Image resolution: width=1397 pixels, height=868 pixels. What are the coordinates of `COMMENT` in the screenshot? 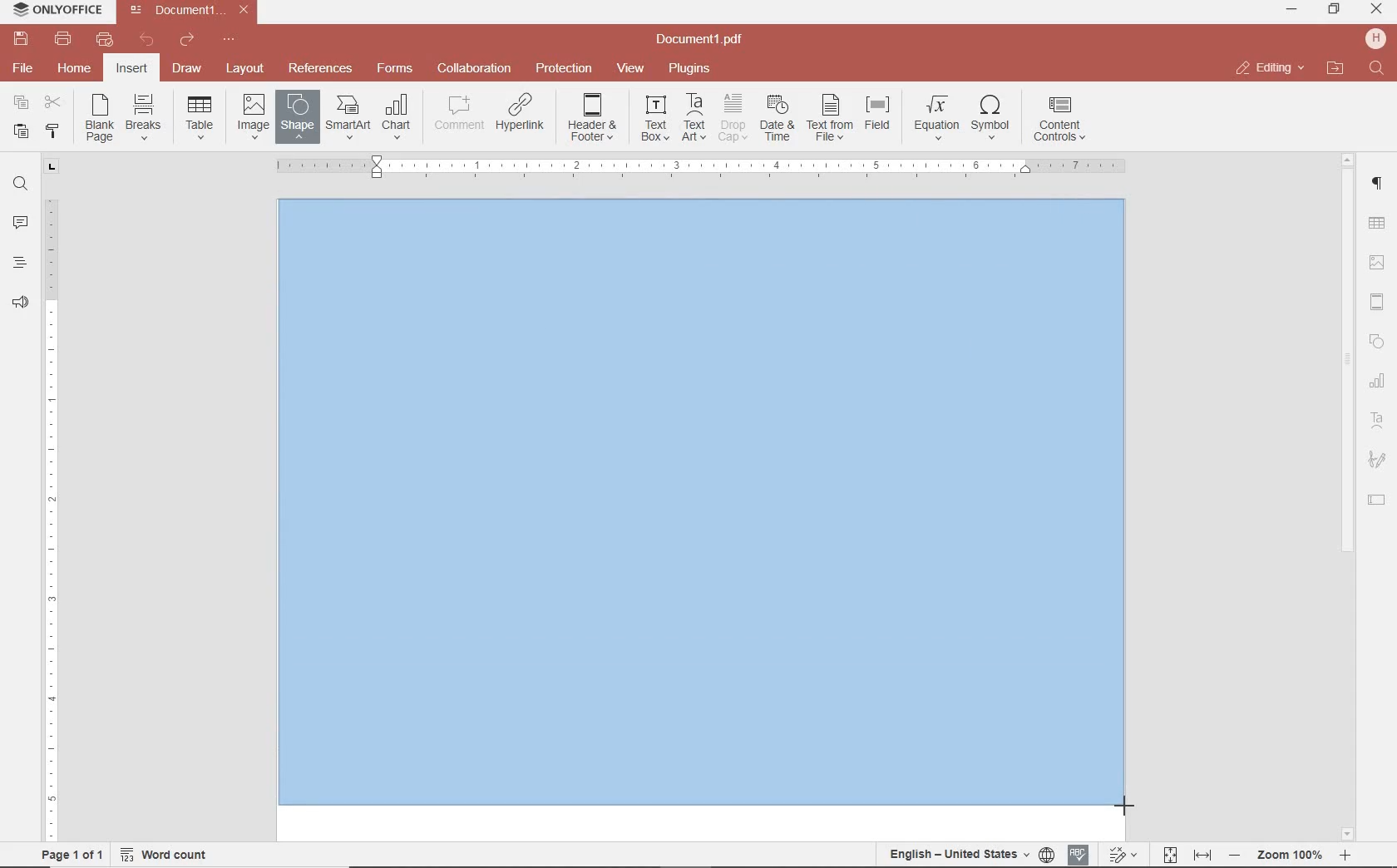 It's located at (461, 113).